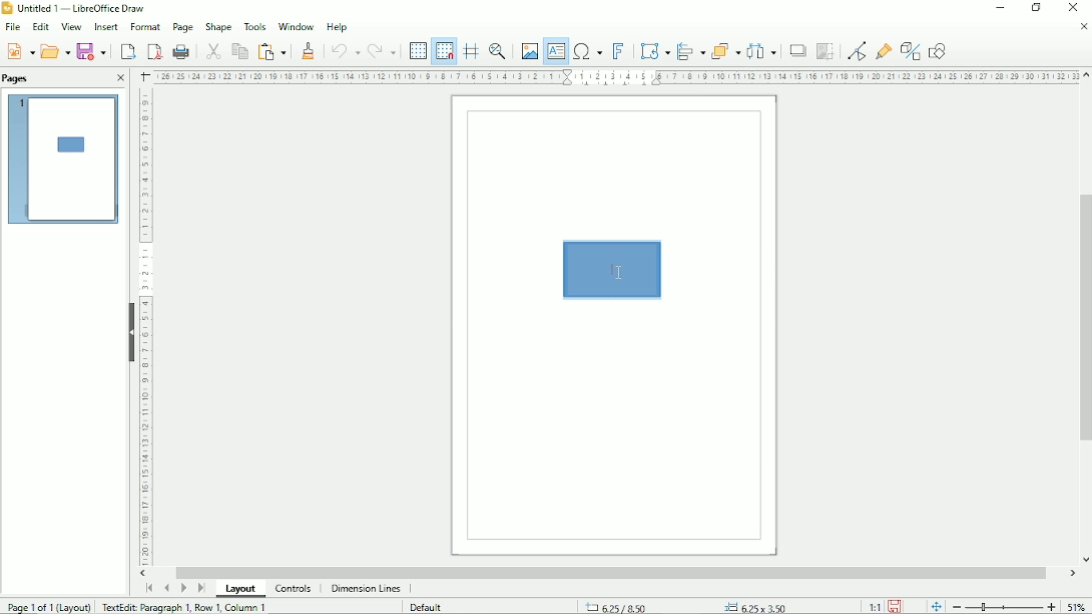 The image size is (1092, 614). Describe the element at coordinates (556, 52) in the screenshot. I see `Insert text box` at that location.